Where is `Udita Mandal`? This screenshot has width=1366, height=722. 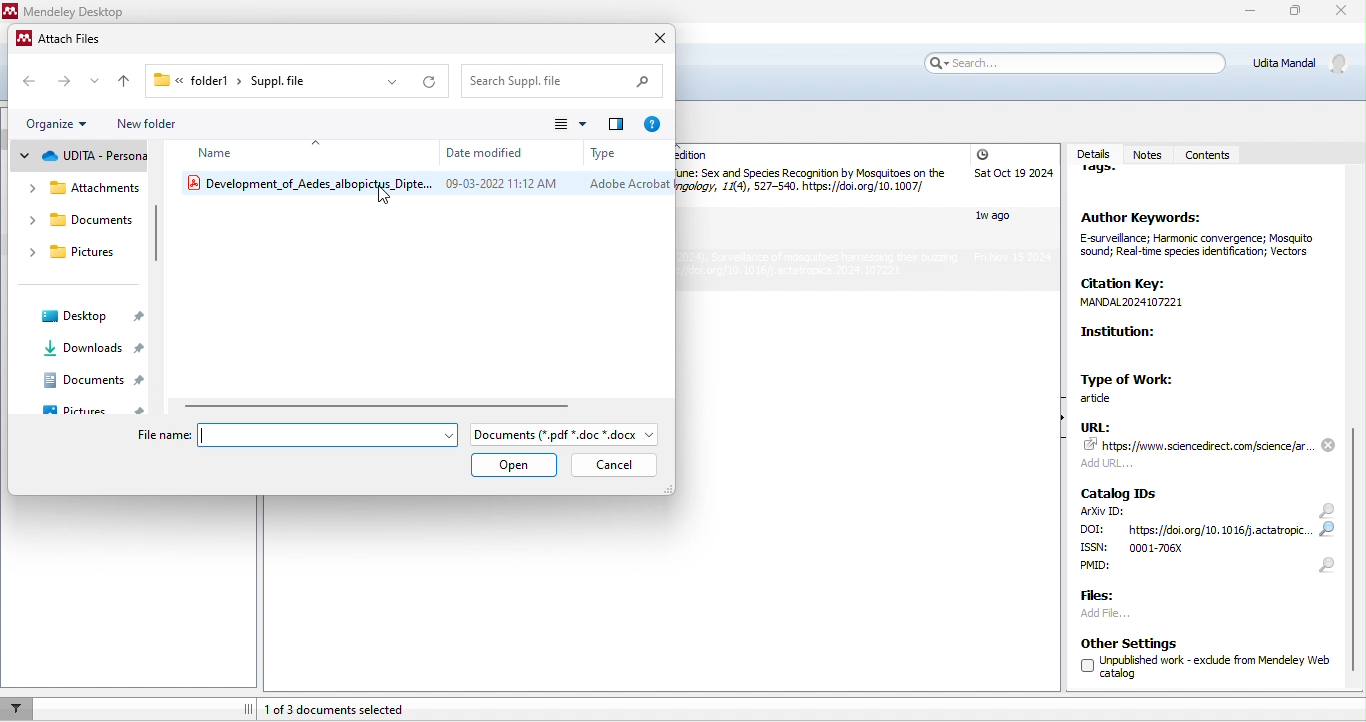
Udita Mandal is located at coordinates (1305, 63).